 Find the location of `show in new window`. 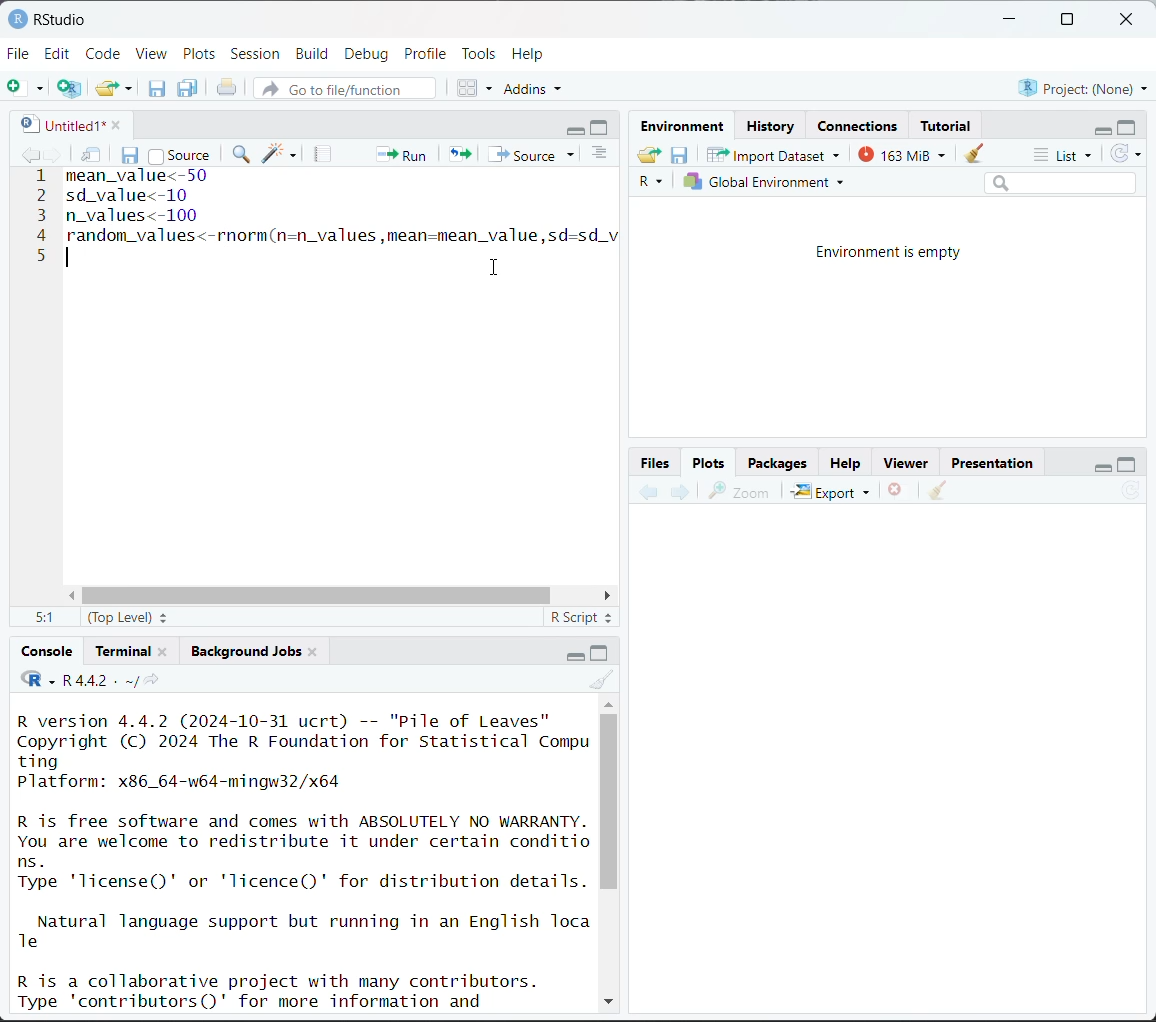

show in new window is located at coordinates (93, 156).